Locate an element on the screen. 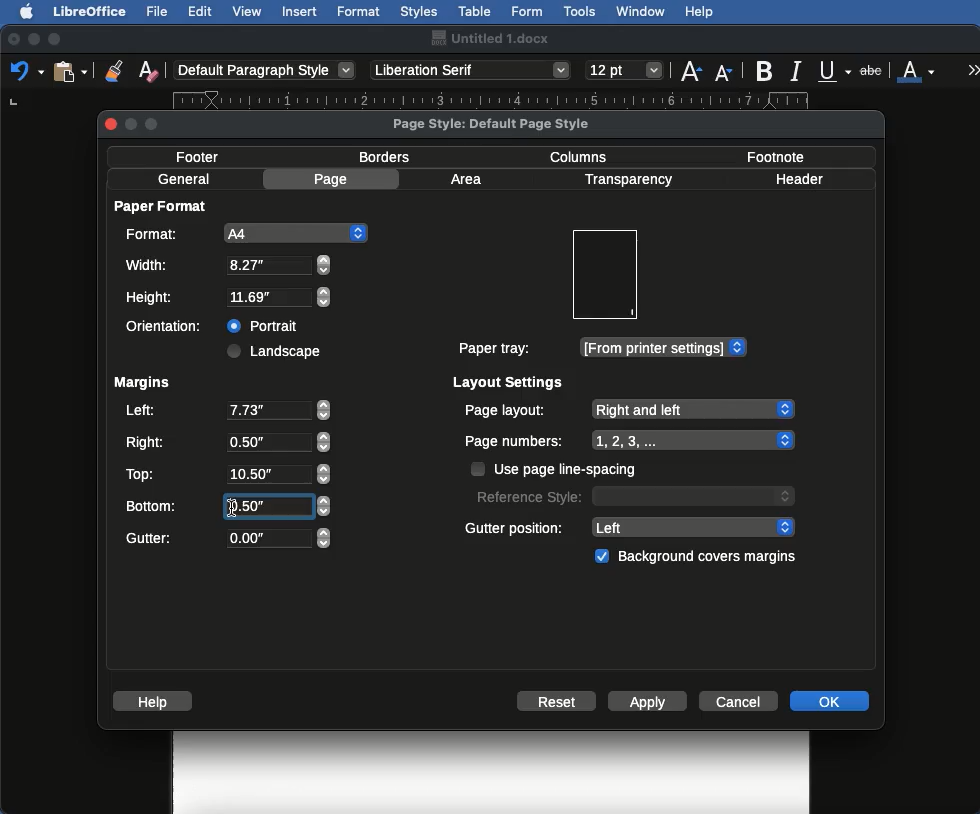 Image resolution: width=980 pixels, height=814 pixels. Help is located at coordinates (699, 12).